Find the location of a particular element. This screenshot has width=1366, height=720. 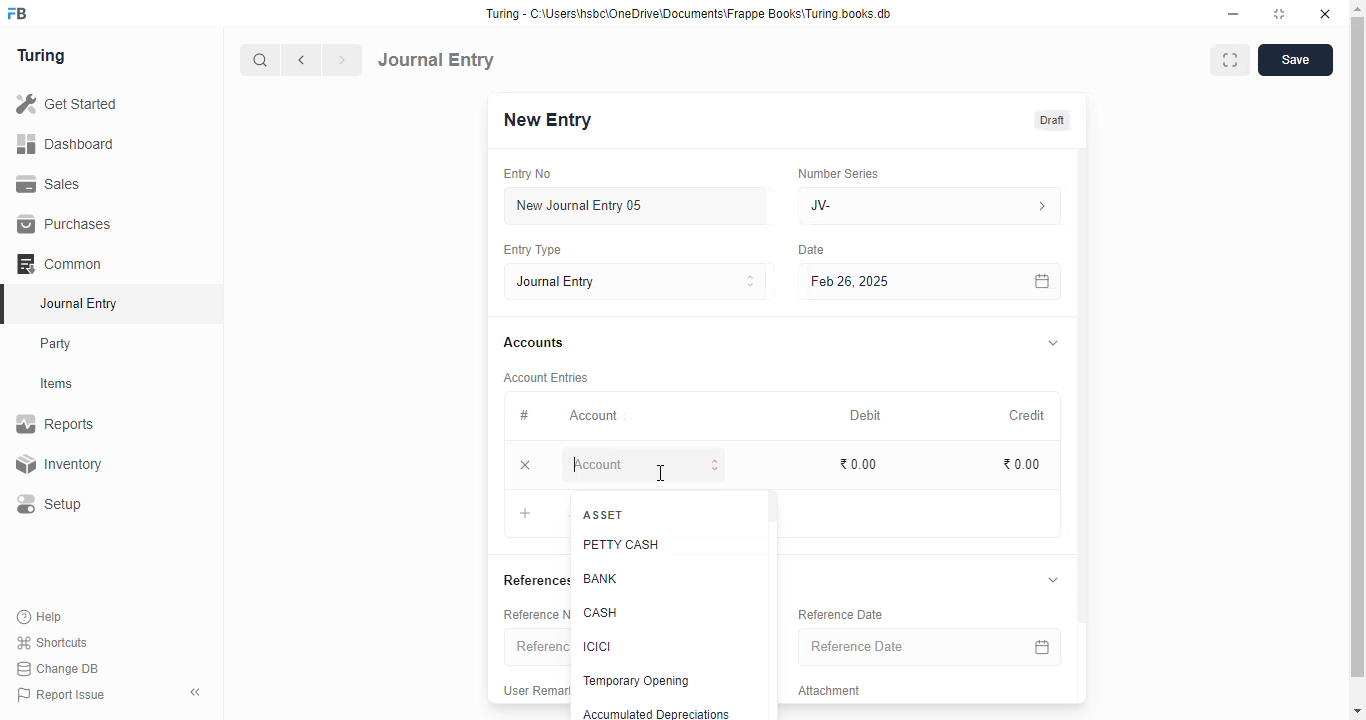

scroll down is located at coordinates (1357, 712).